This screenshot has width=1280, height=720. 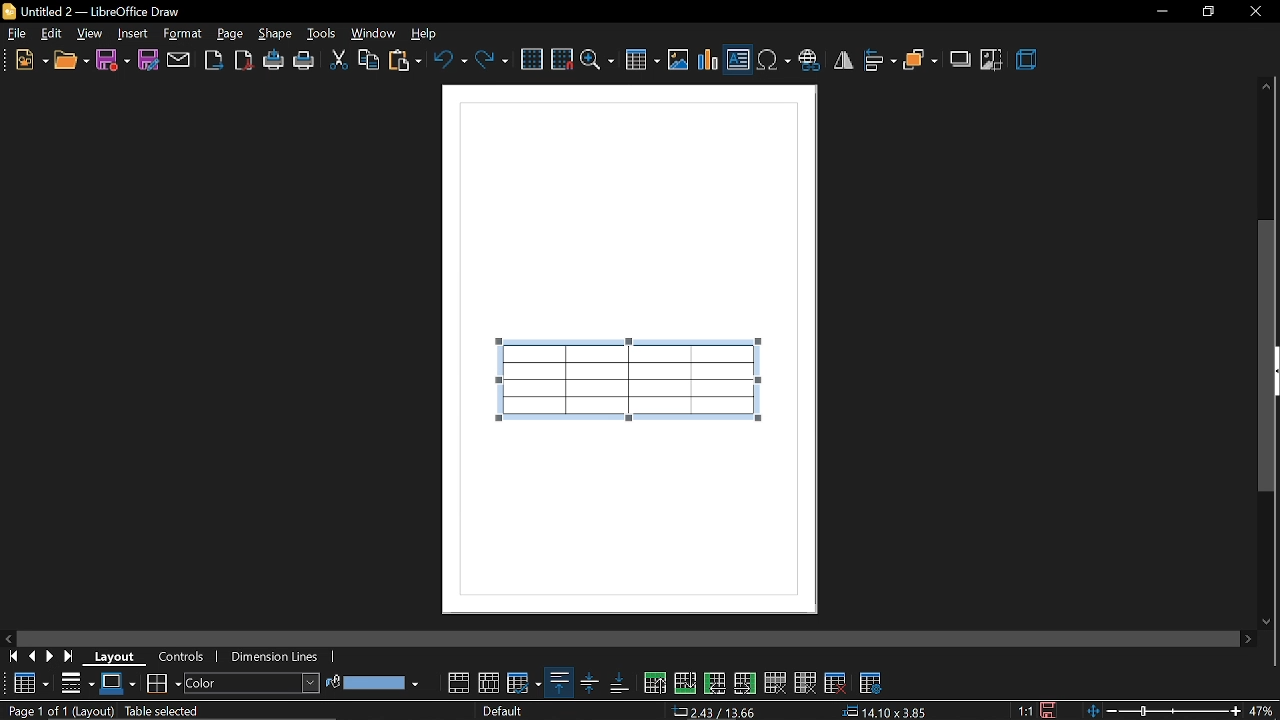 What do you see at coordinates (71, 60) in the screenshot?
I see `open` at bounding box center [71, 60].